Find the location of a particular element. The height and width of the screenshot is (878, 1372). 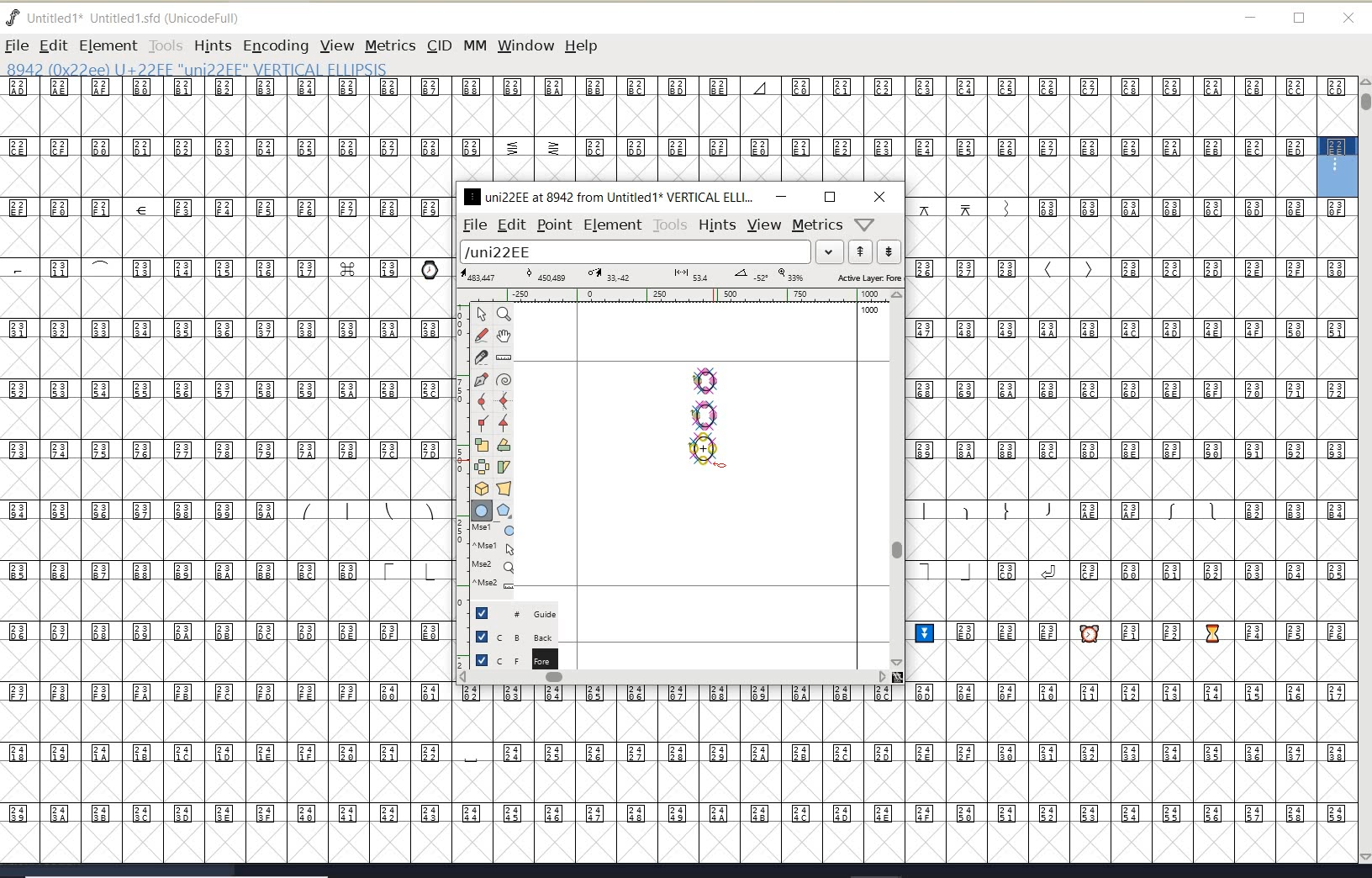

ruler is located at coordinates (674, 297).